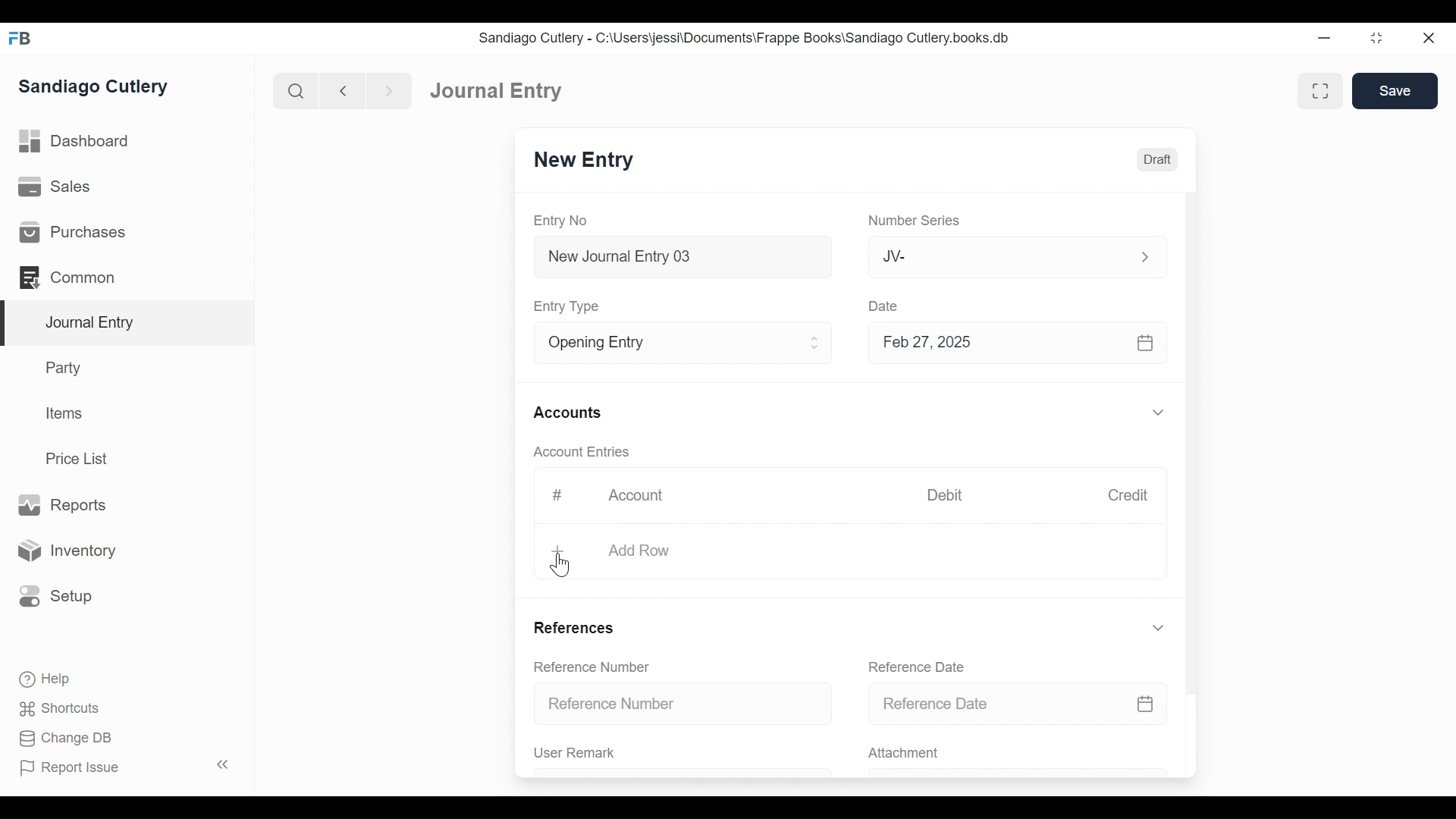 The height and width of the screenshot is (819, 1456). I want to click on Sandiago Cutlery - C:\Users\jessi\Documents\Frappe Books\Sandiago Cutlery.books.db, so click(745, 37).